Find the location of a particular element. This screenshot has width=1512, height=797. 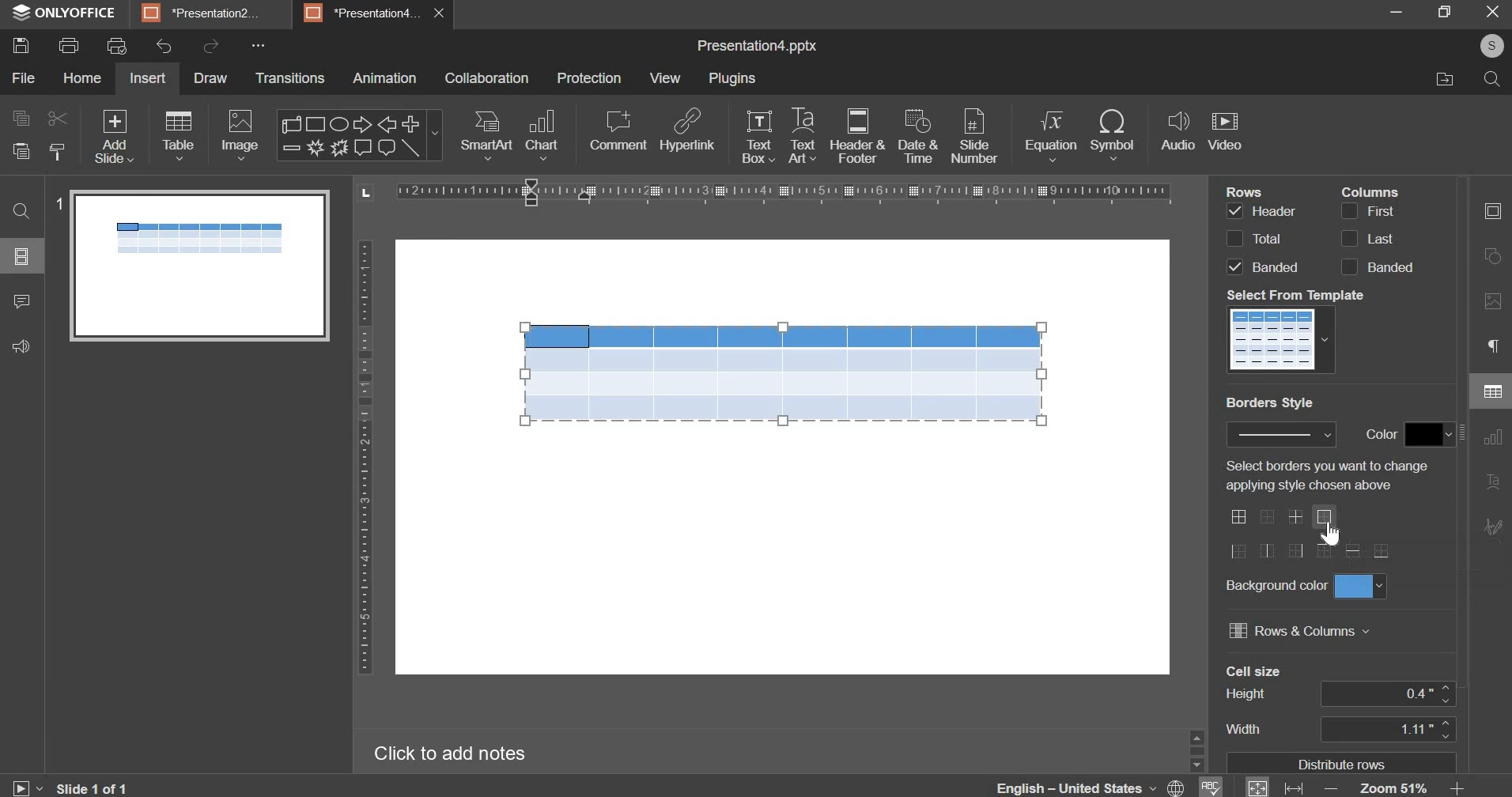

slideshow is located at coordinates (23, 788).